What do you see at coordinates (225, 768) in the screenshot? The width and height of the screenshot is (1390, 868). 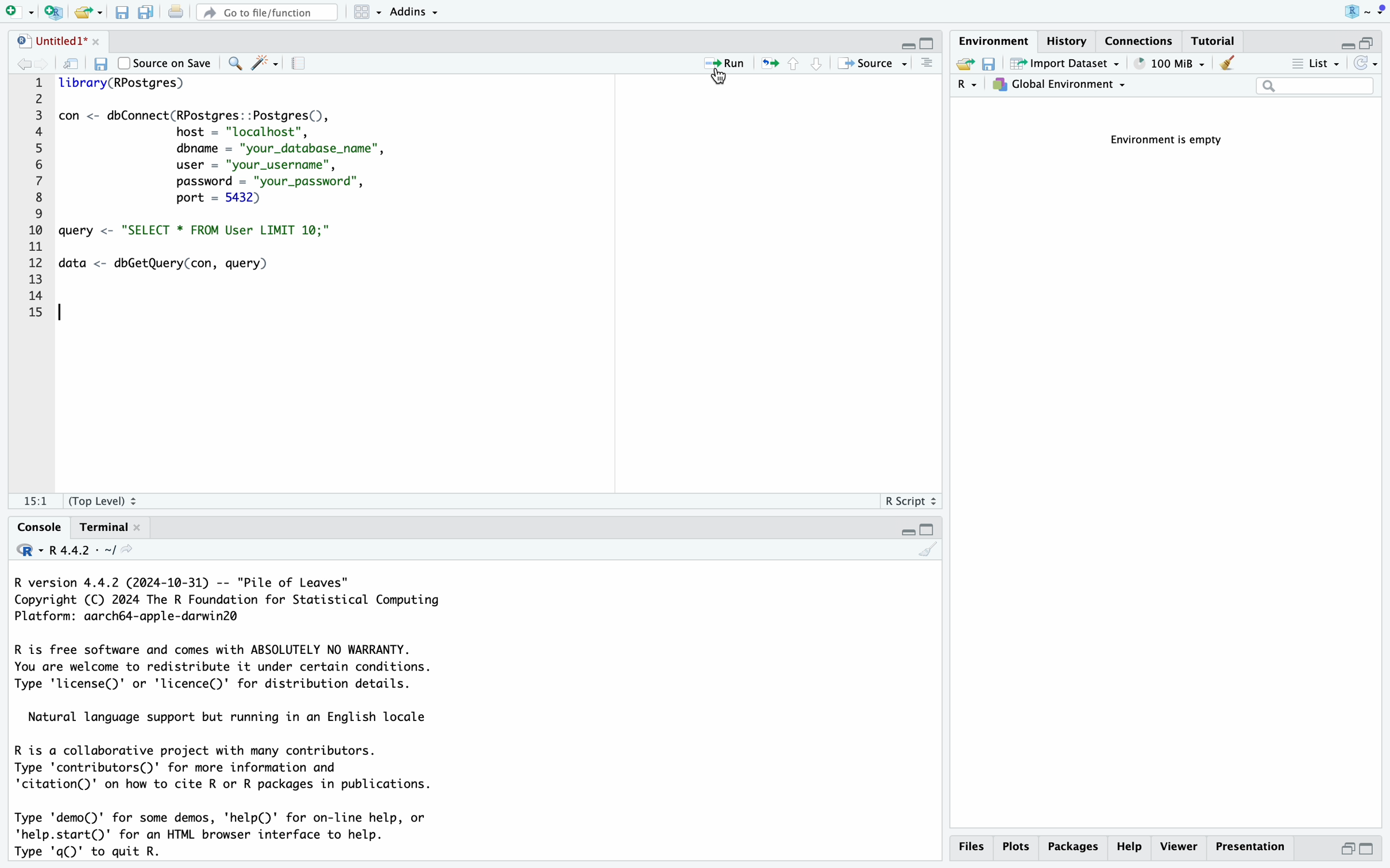 I see `description of contributors` at bounding box center [225, 768].